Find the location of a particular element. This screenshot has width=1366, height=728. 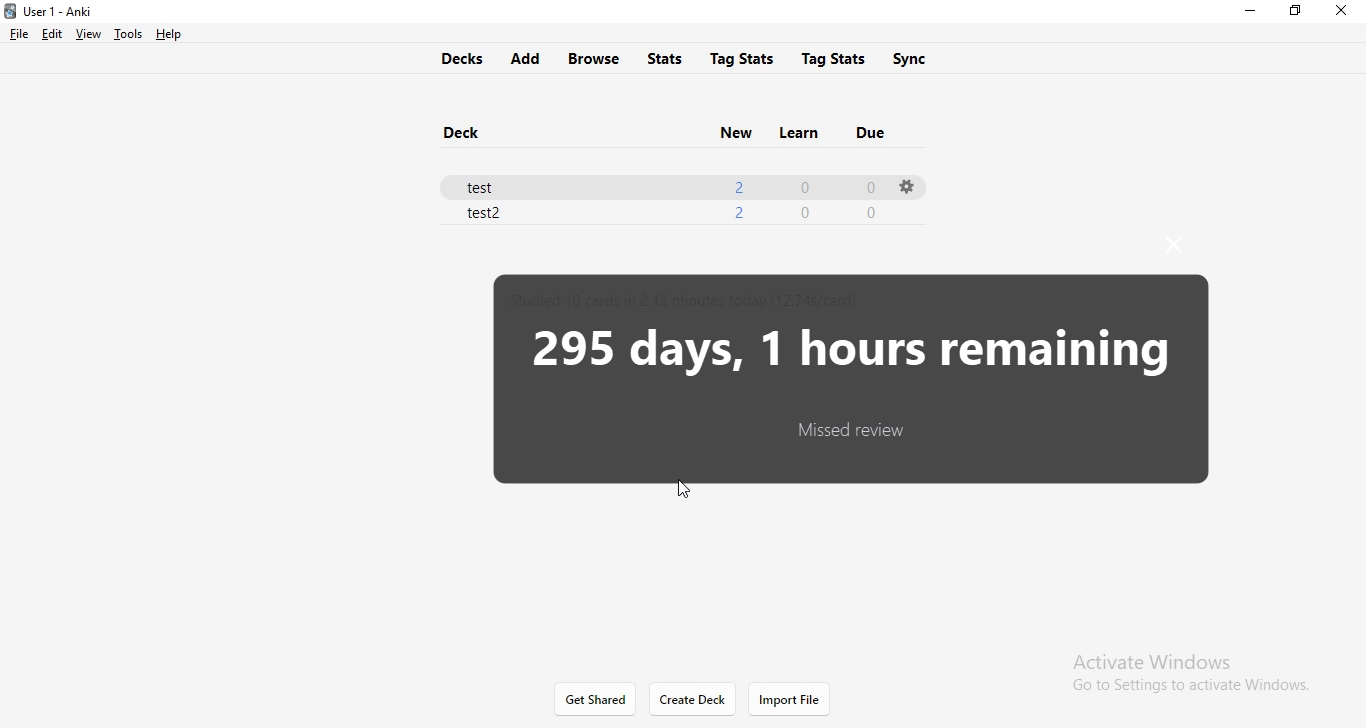

file is located at coordinates (19, 34).